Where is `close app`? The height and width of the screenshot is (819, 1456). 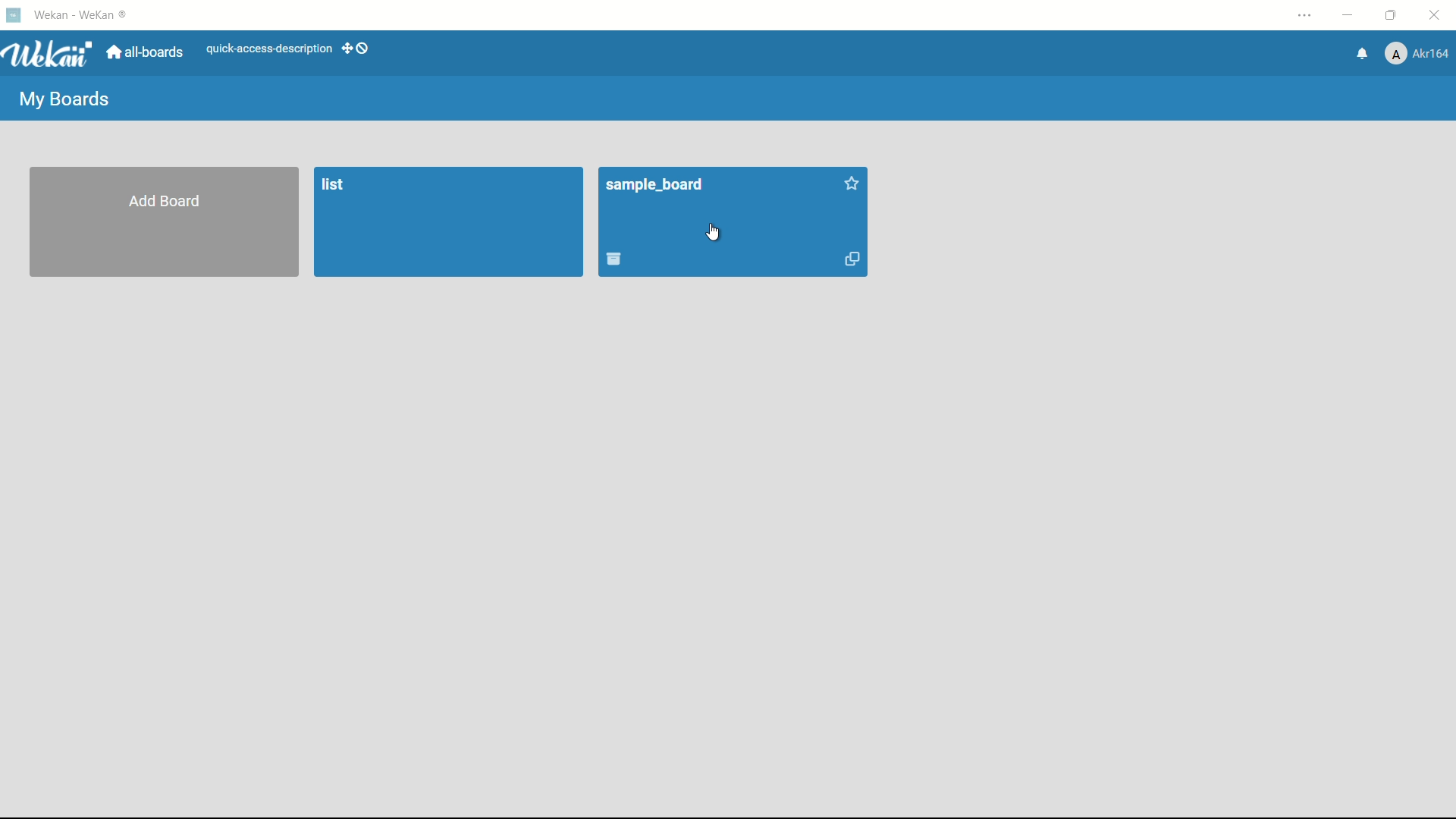 close app is located at coordinates (1438, 15).